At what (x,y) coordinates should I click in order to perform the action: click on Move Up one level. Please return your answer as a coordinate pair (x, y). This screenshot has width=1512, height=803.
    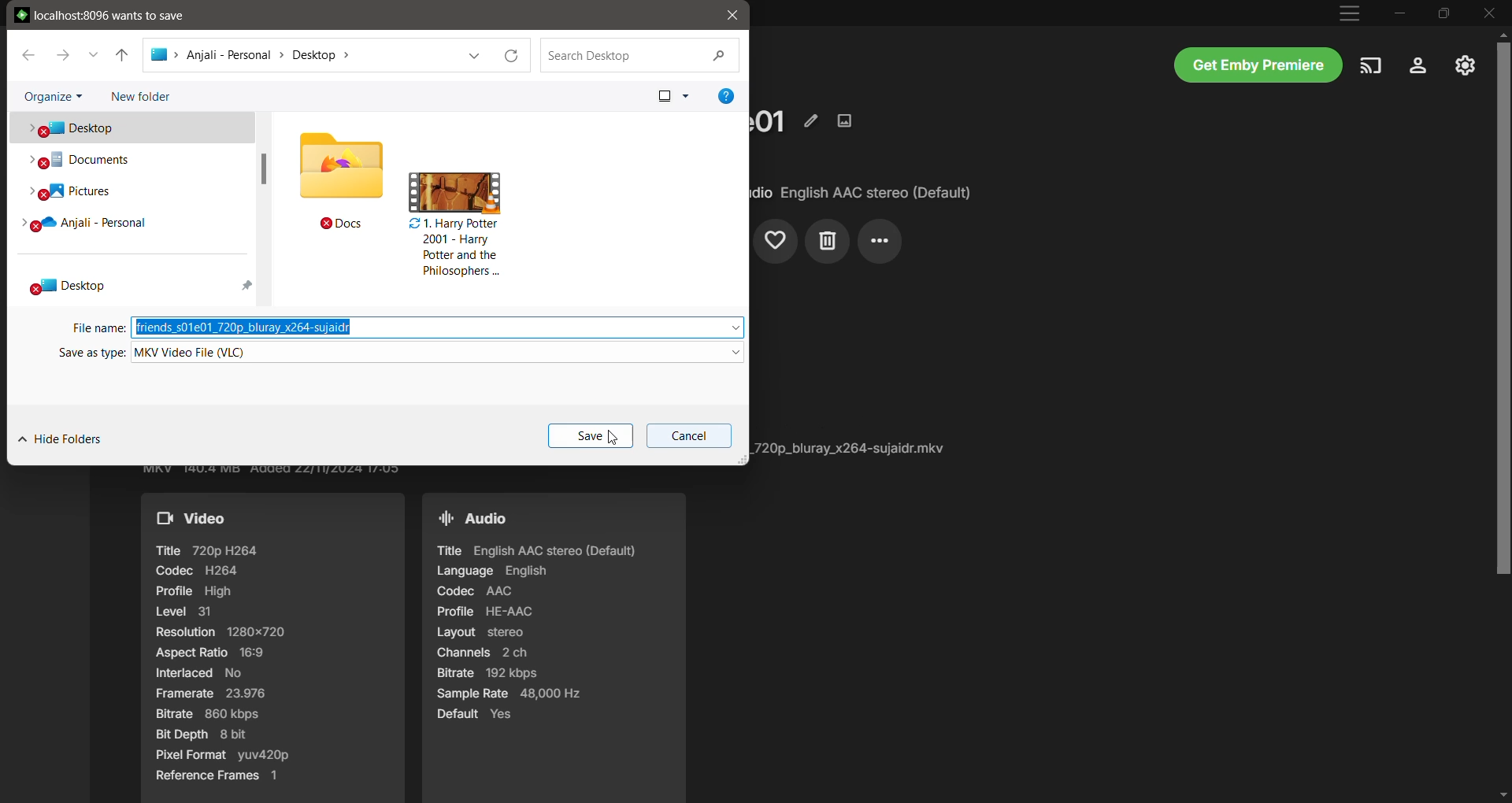
    Looking at the image, I should click on (122, 56).